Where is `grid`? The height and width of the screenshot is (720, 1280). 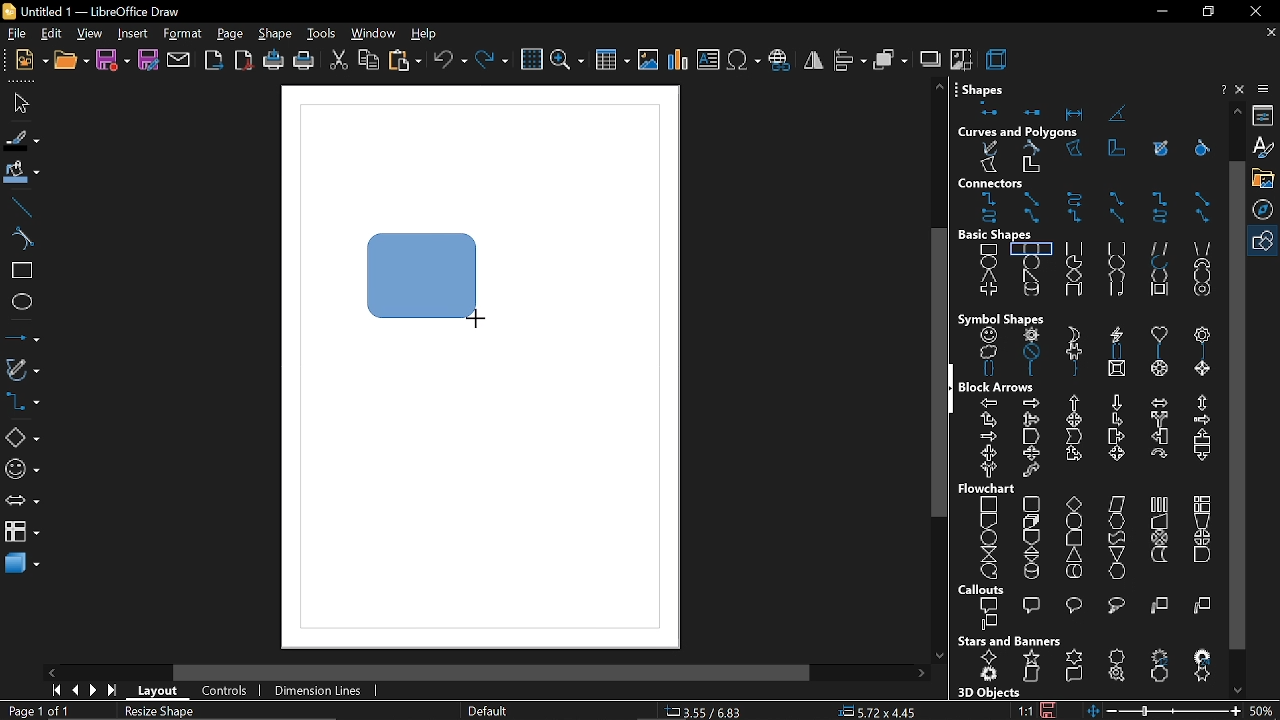
grid is located at coordinates (531, 60).